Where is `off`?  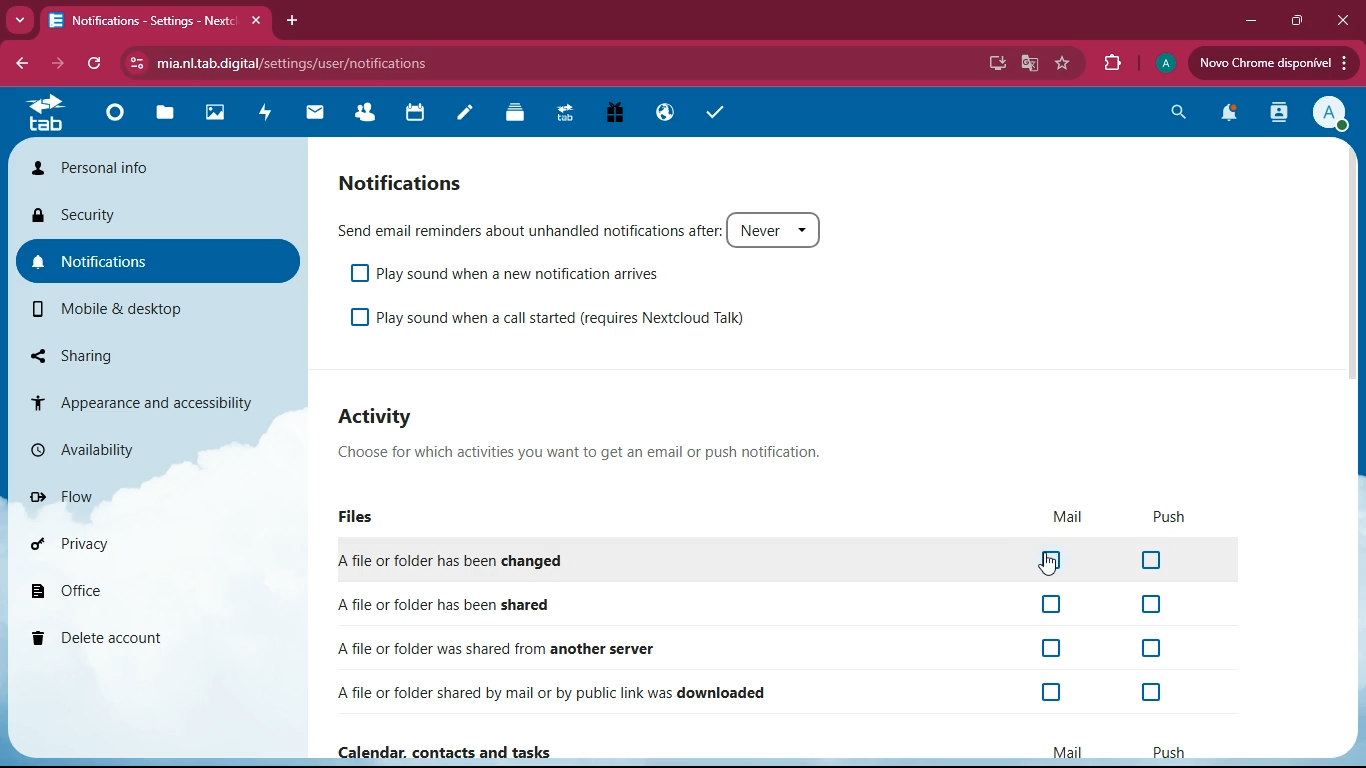
off is located at coordinates (1148, 693).